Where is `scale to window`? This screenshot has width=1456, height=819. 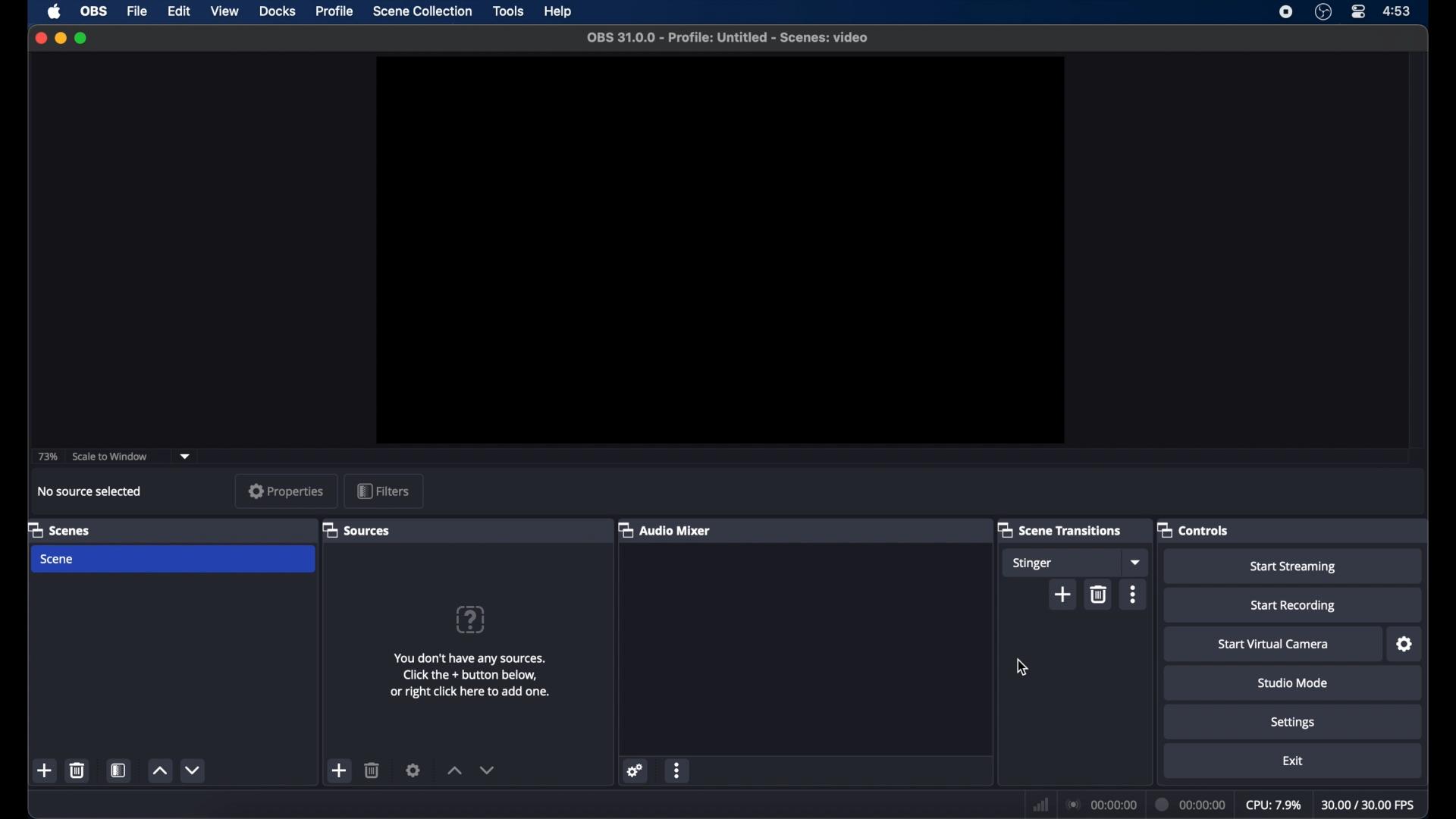 scale to window is located at coordinates (112, 457).